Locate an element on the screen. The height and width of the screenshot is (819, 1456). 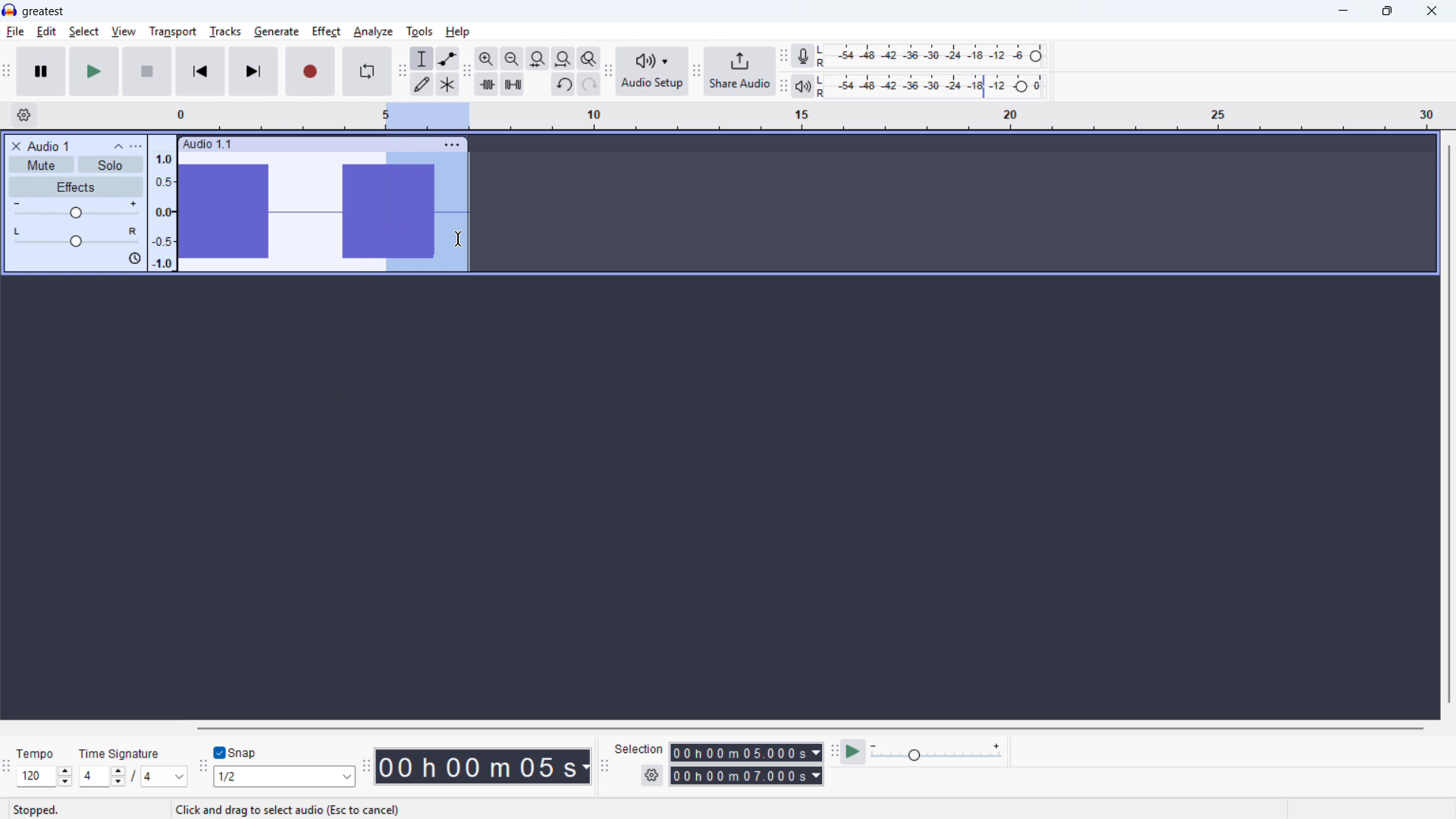
Envelope tool  is located at coordinates (448, 58).